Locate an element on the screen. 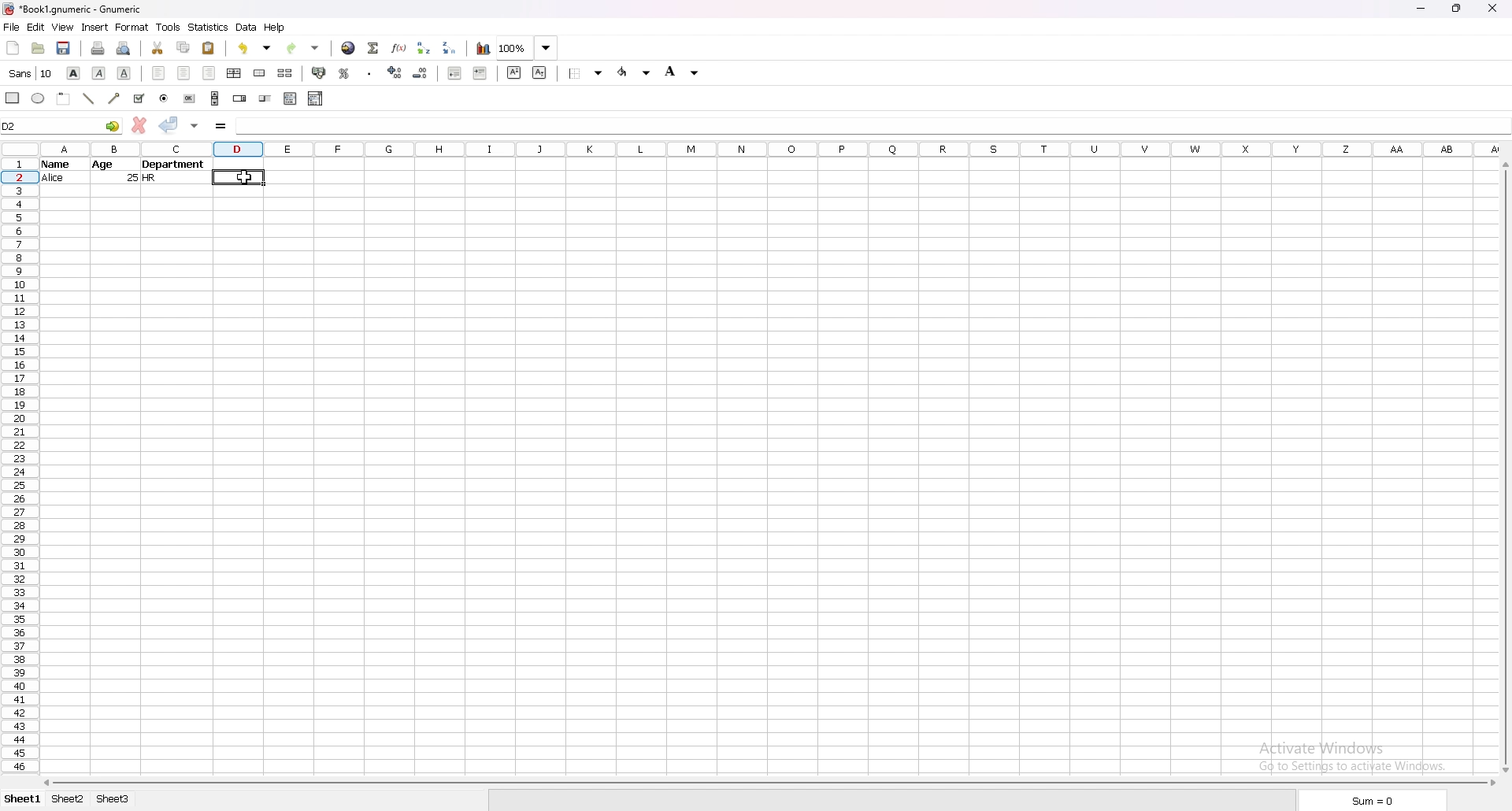 The height and width of the screenshot is (811, 1512). selected cell is located at coordinates (241, 178).